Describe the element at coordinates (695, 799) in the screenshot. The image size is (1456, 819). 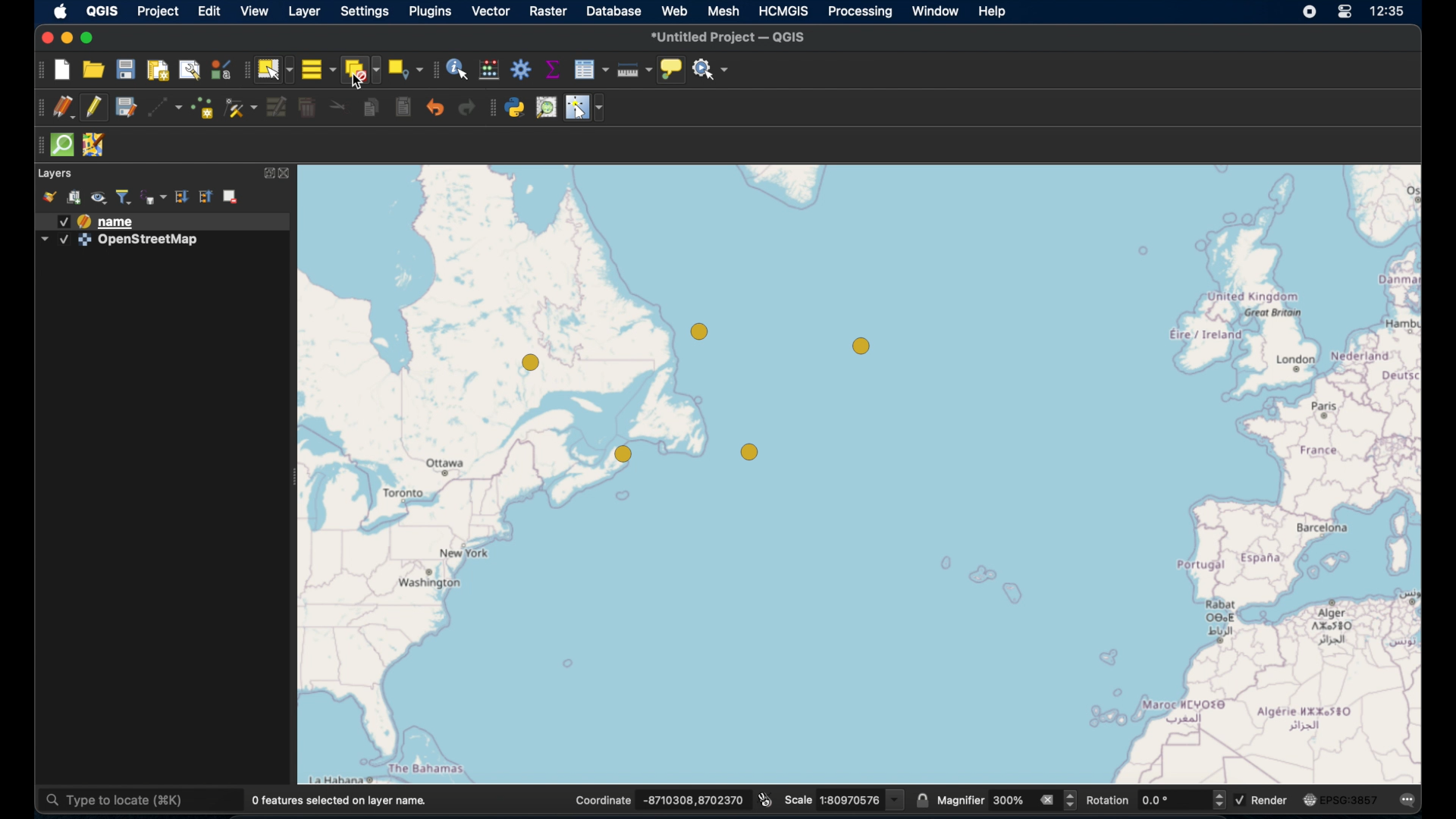
I see `Coordinate value` at that location.